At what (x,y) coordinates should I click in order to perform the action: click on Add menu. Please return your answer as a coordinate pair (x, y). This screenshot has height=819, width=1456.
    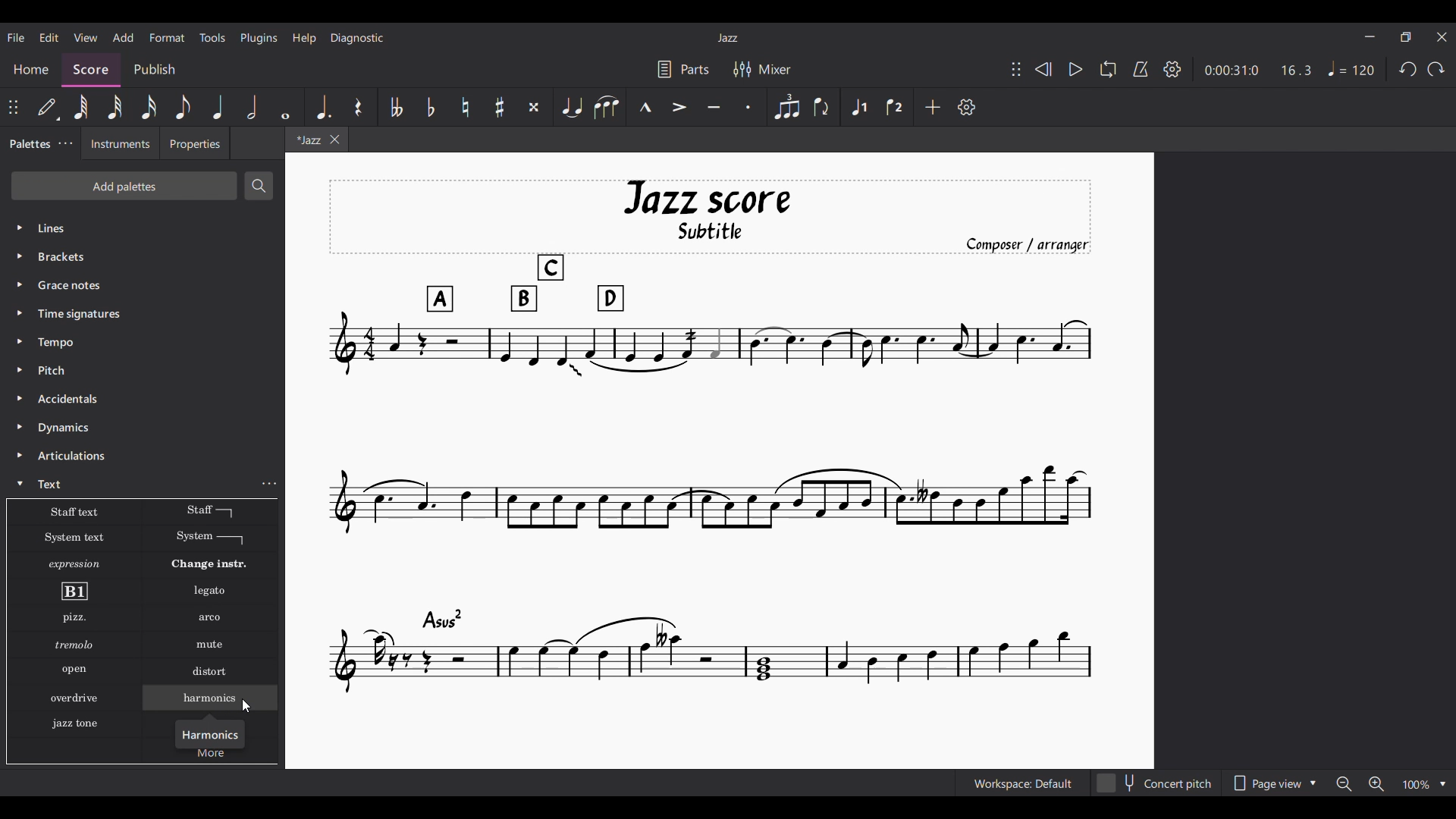
    Looking at the image, I should click on (124, 37).